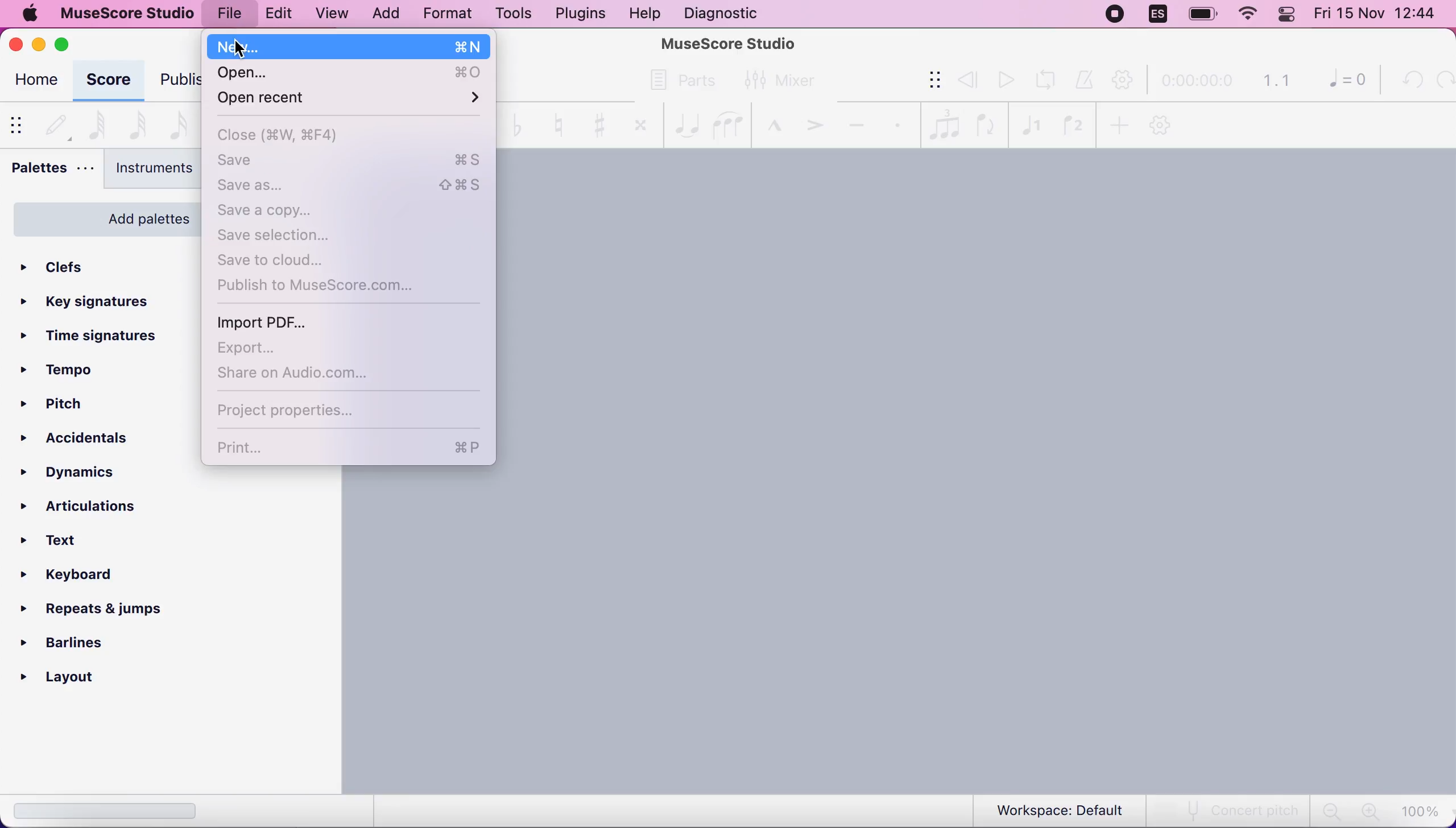  I want to click on tenuto, so click(855, 123).